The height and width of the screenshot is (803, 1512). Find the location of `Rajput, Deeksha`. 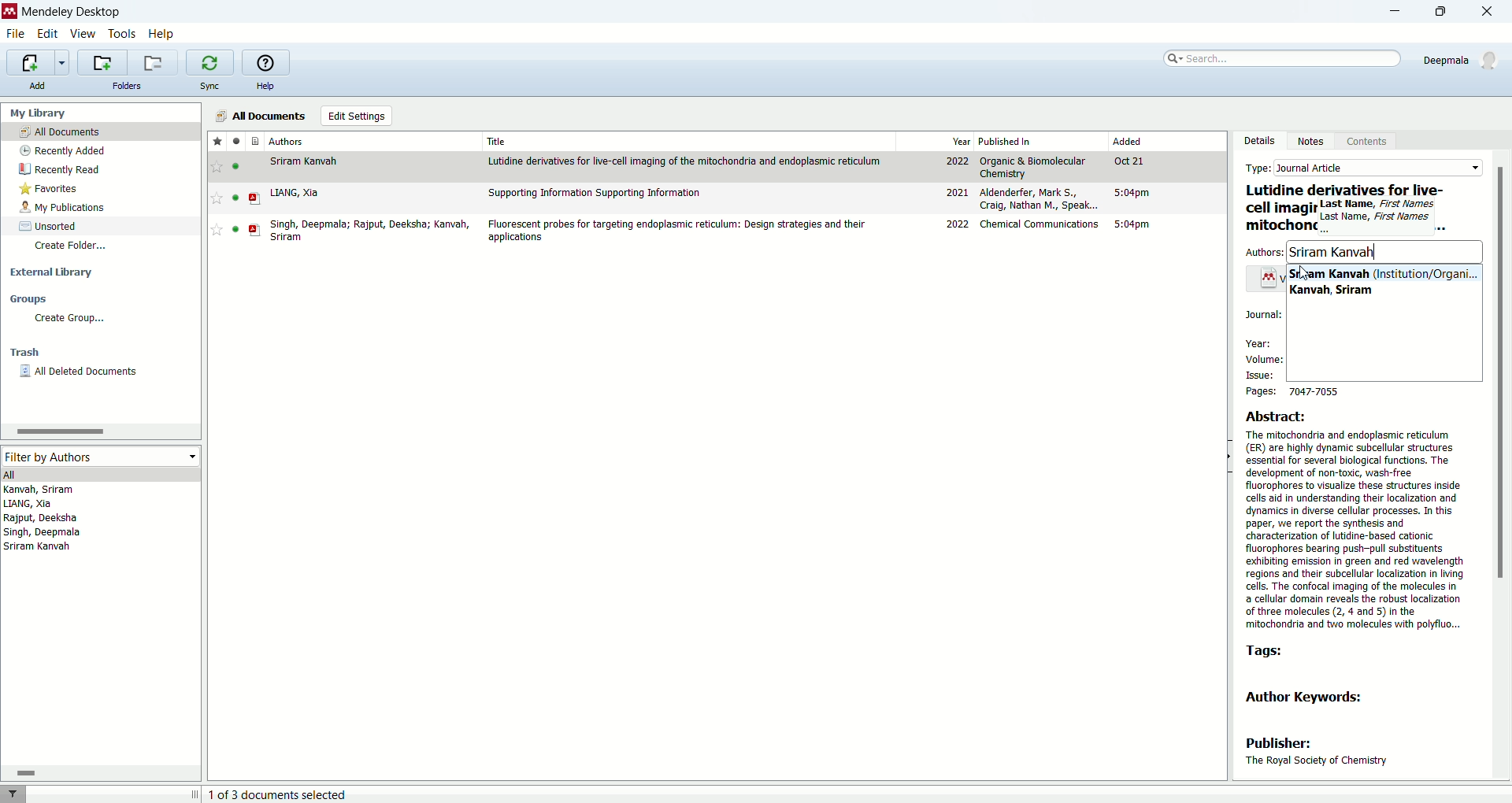

Rajput, Deeksha is located at coordinates (39, 518).